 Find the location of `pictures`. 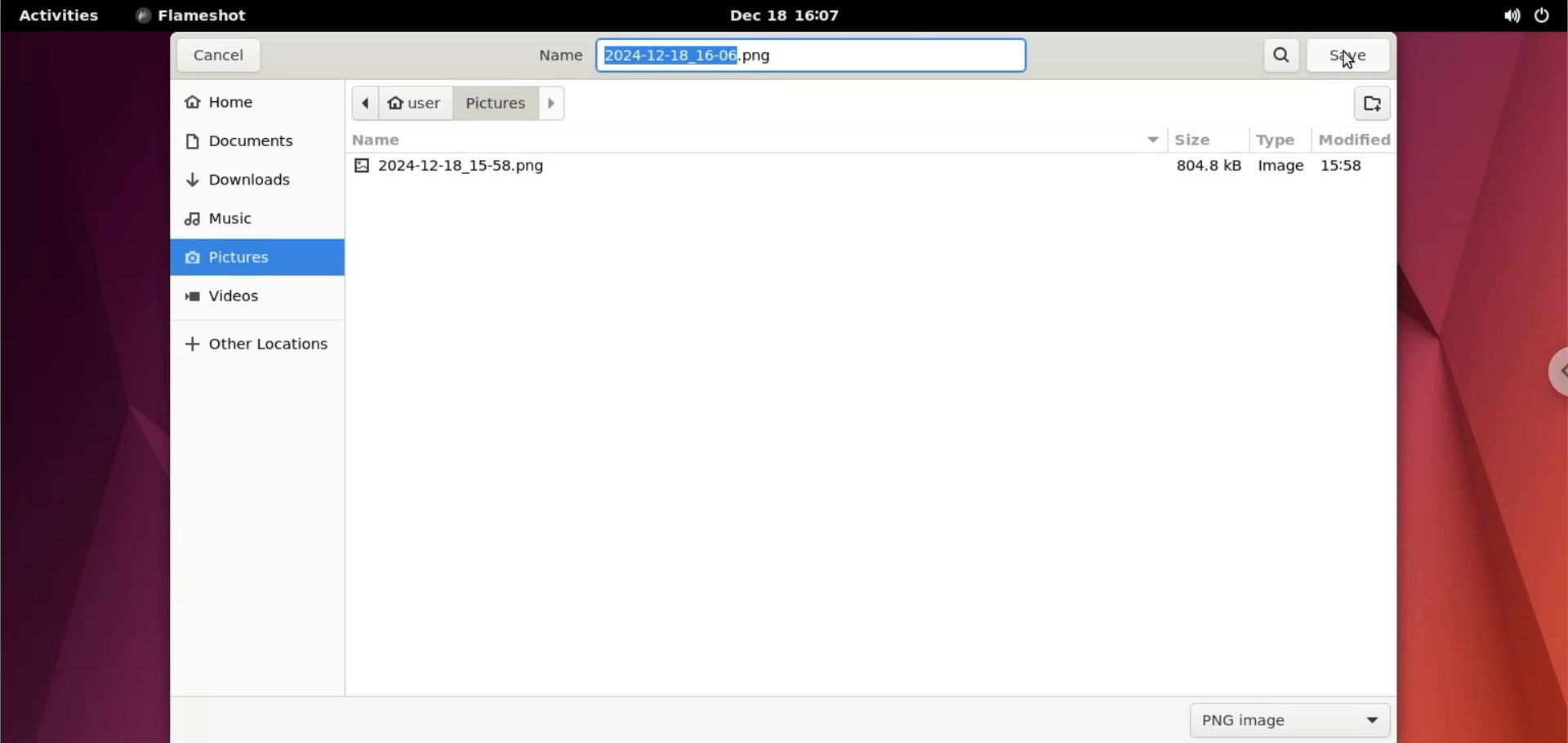

pictures is located at coordinates (498, 104).